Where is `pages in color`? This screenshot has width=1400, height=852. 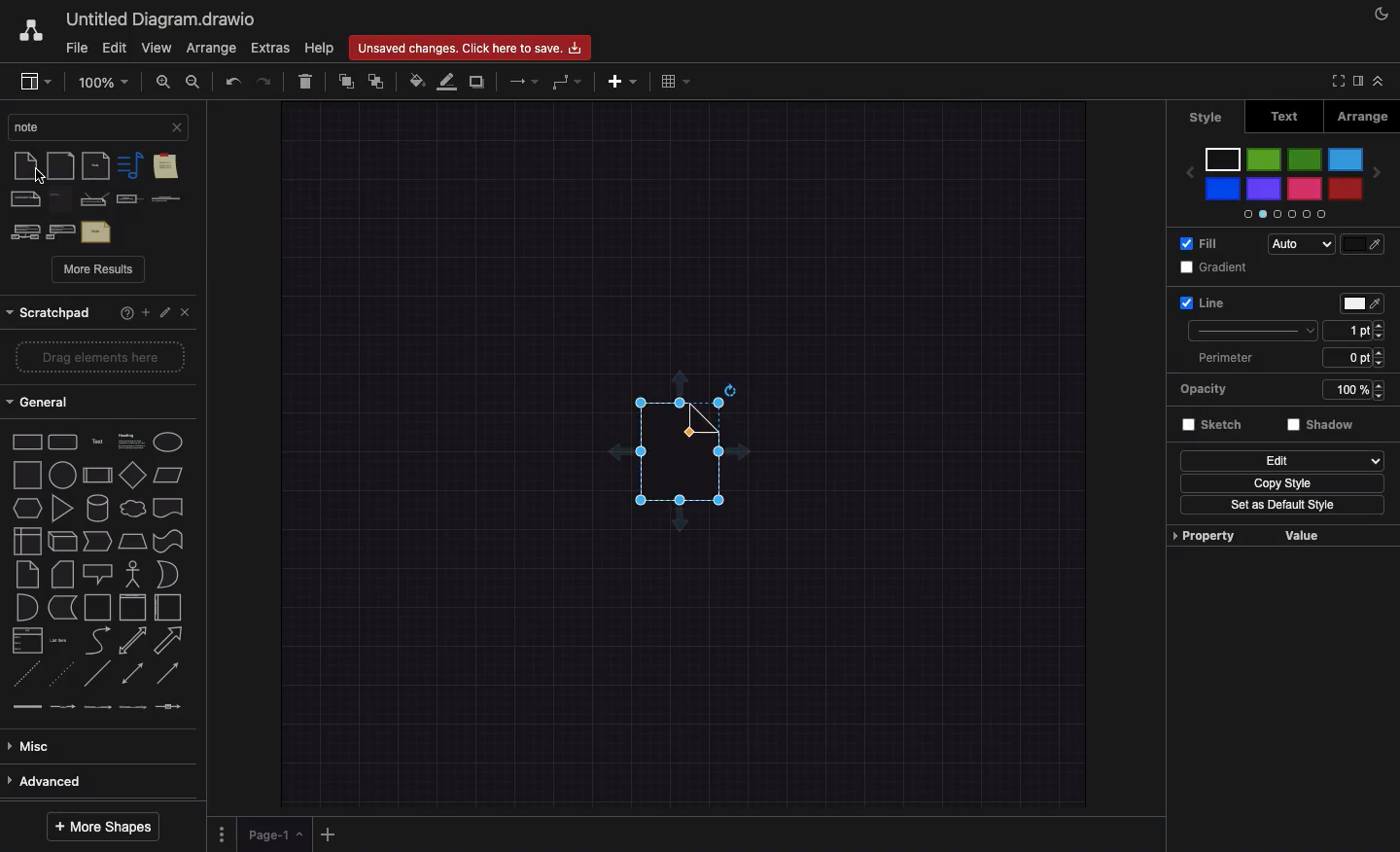 pages in color is located at coordinates (1281, 213).